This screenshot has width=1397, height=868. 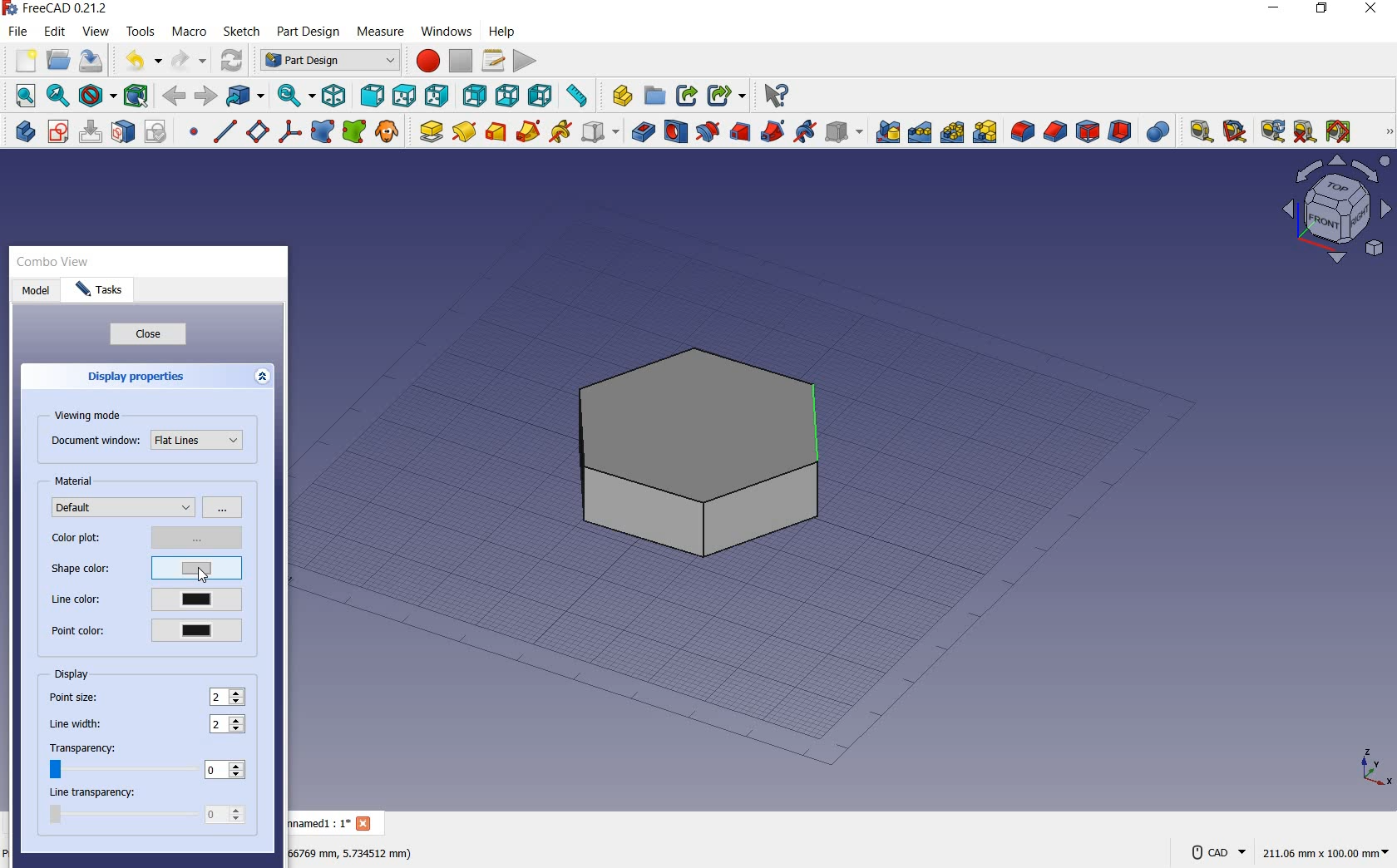 What do you see at coordinates (22, 129) in the screenshot?
I see `create body` at bounding box center [22, 129].